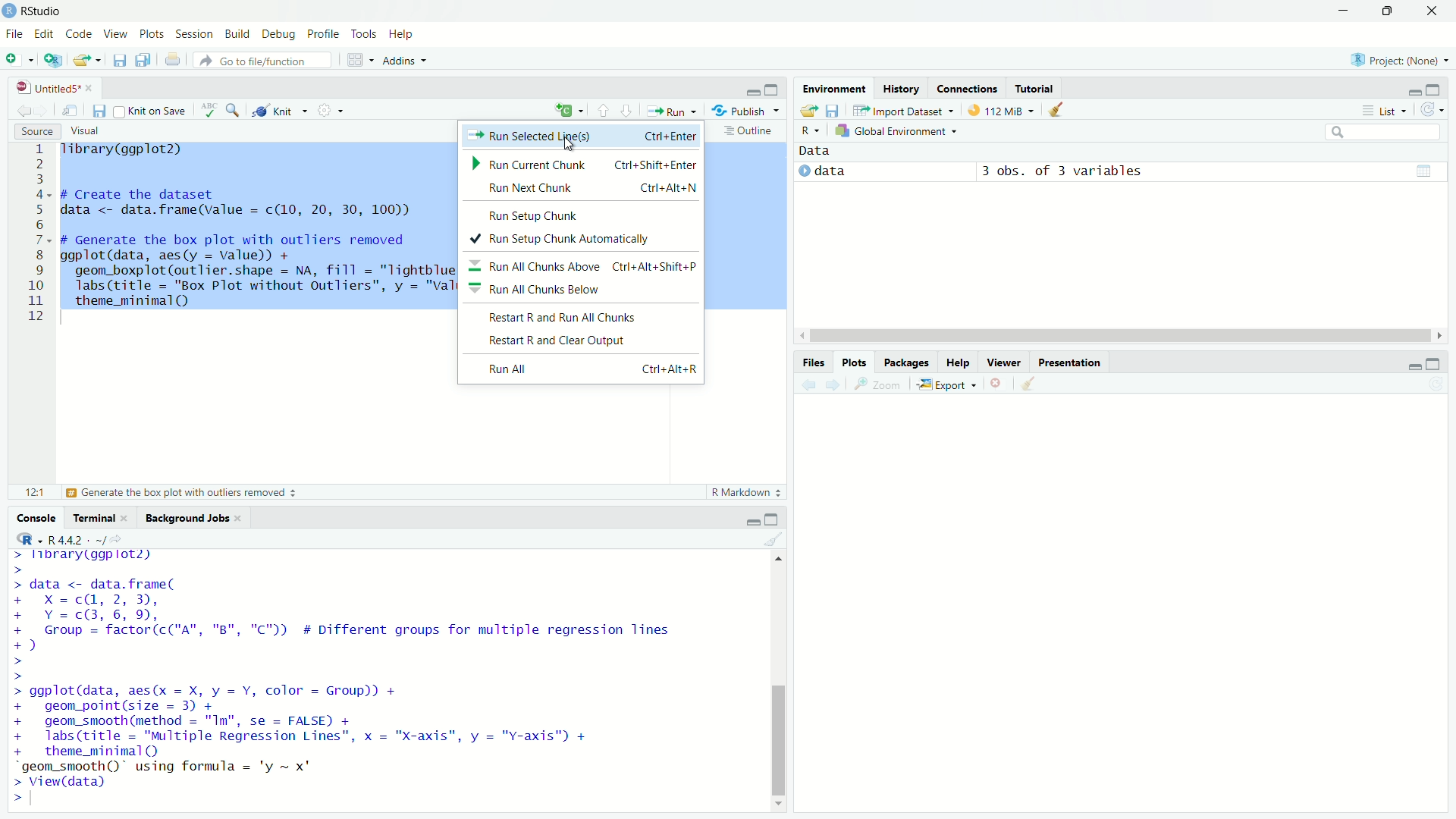 The height and width of the screenshot is (819, 1456). Describe the element at coordinates (17, 62) in the screenshot. I see `add` at that location.